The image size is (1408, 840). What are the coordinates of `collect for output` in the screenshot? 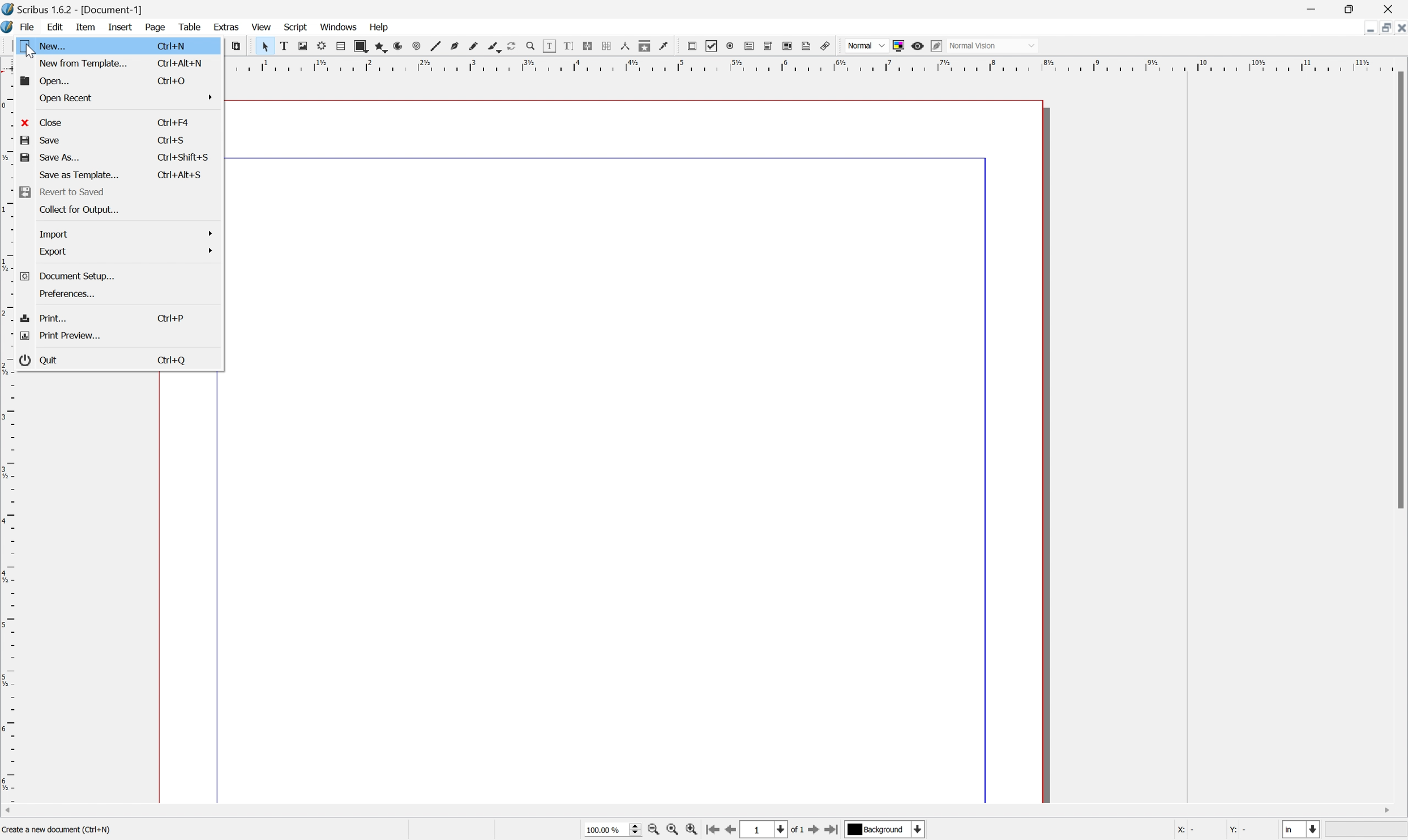 It's located at (78, 210).